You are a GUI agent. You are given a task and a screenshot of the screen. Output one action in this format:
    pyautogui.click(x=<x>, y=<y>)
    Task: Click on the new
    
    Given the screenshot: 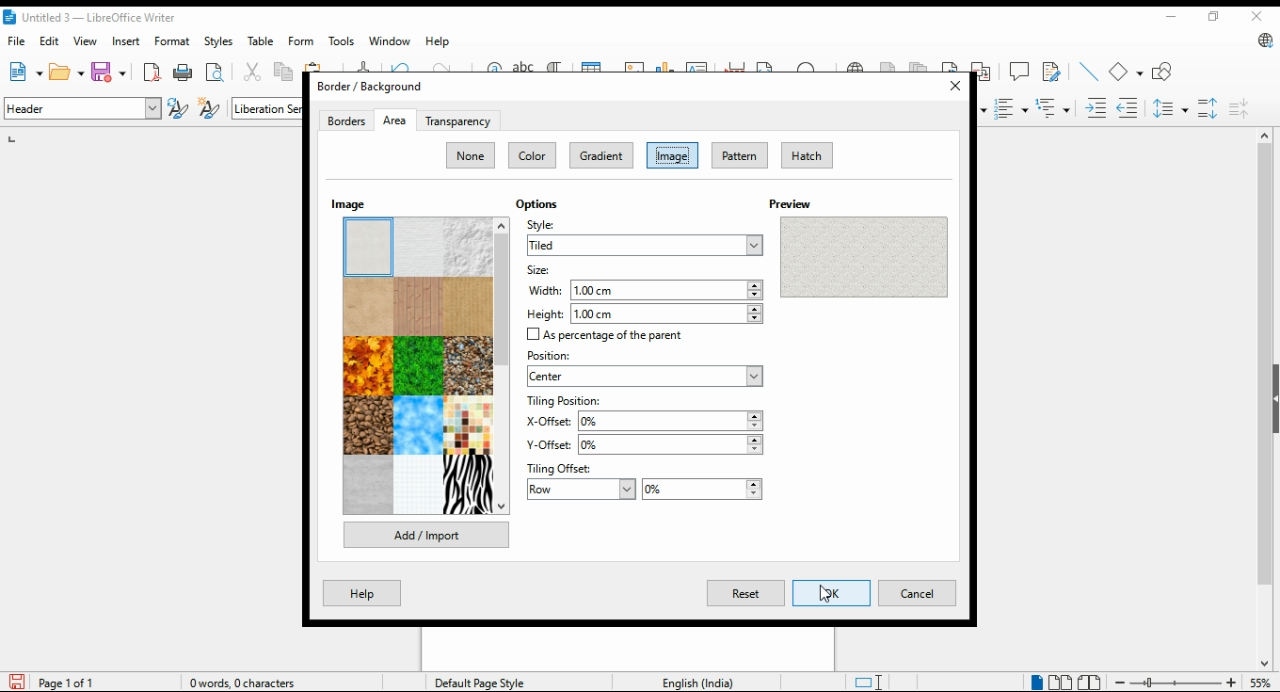 What is the action you would take?
    pyautogui.click(x=24, y=72)
    